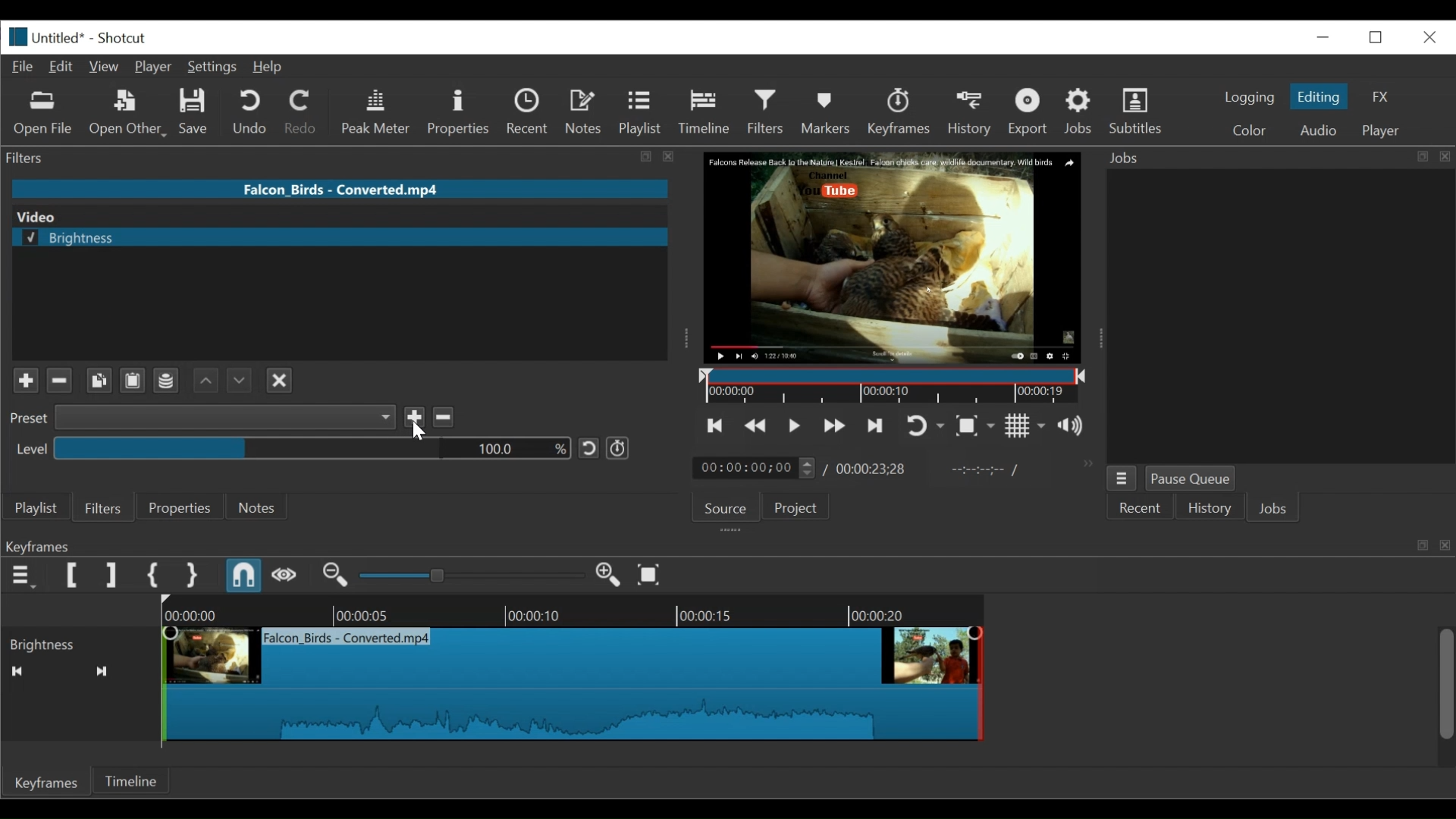 The image size is (1456, 819). I want to click on Zoom keyframe to fit, so click(653, 573).